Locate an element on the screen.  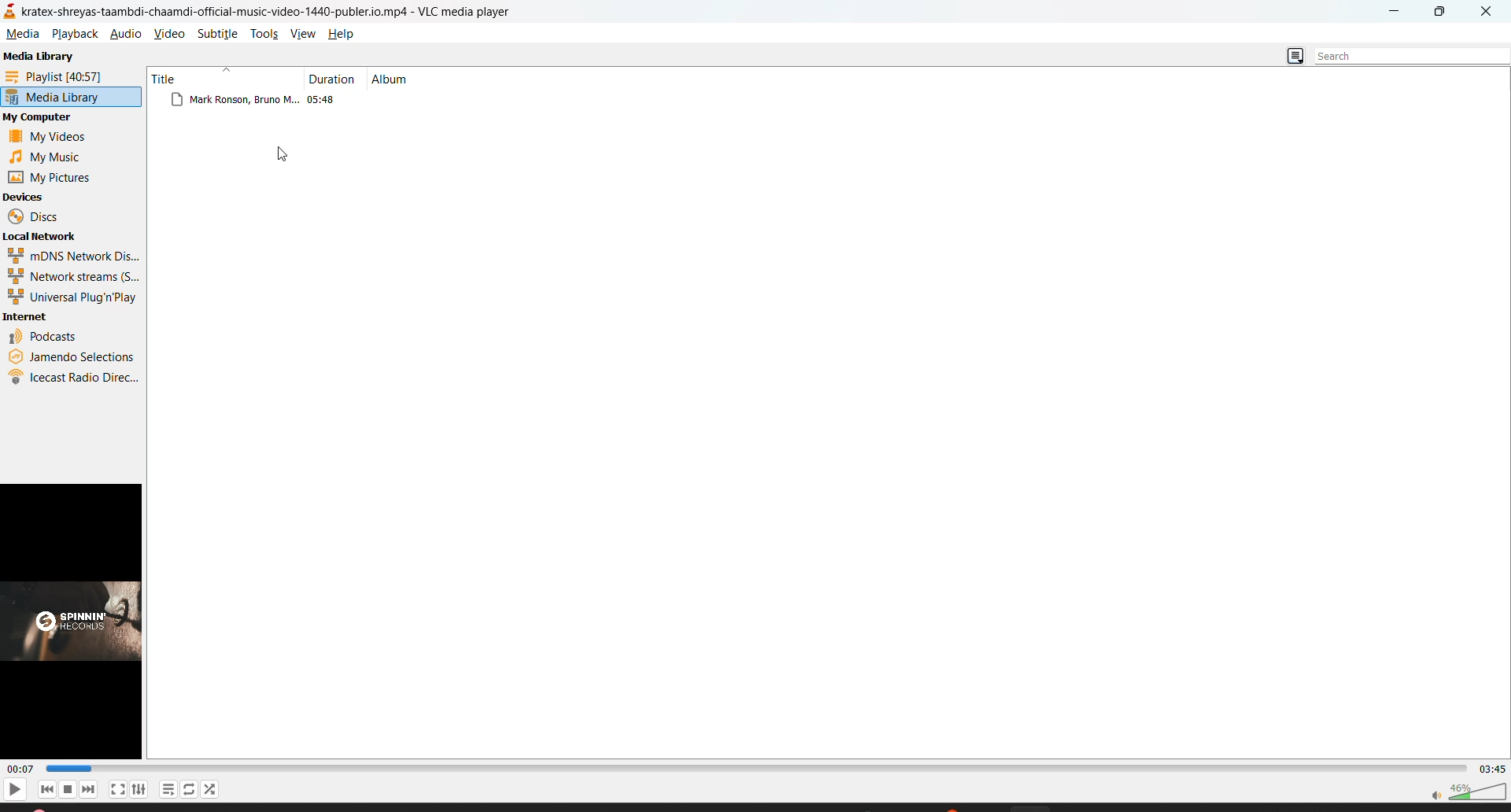
my computer is located at coordinates (44, 119).